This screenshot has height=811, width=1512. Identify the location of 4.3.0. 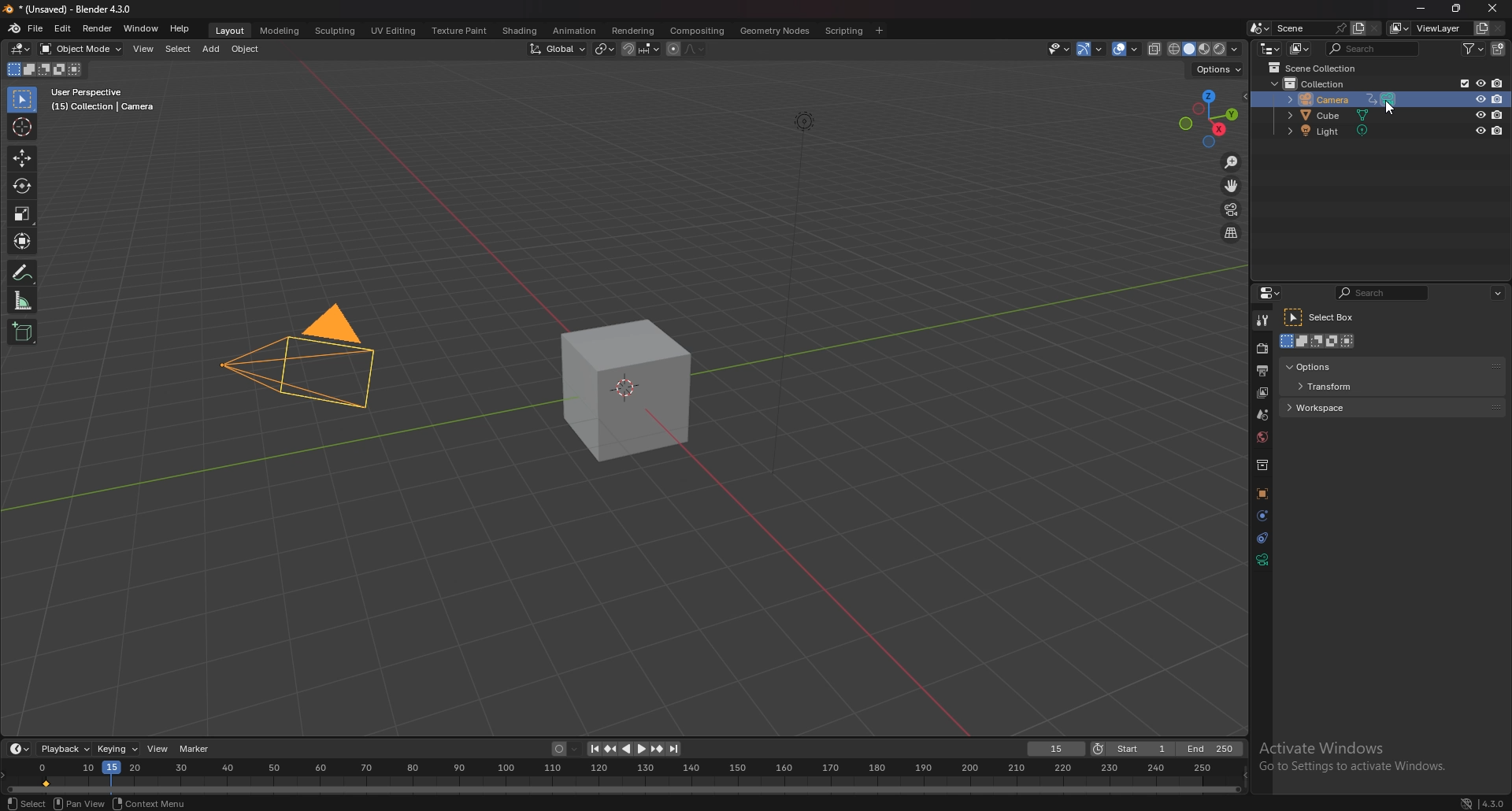
(1484, 802).